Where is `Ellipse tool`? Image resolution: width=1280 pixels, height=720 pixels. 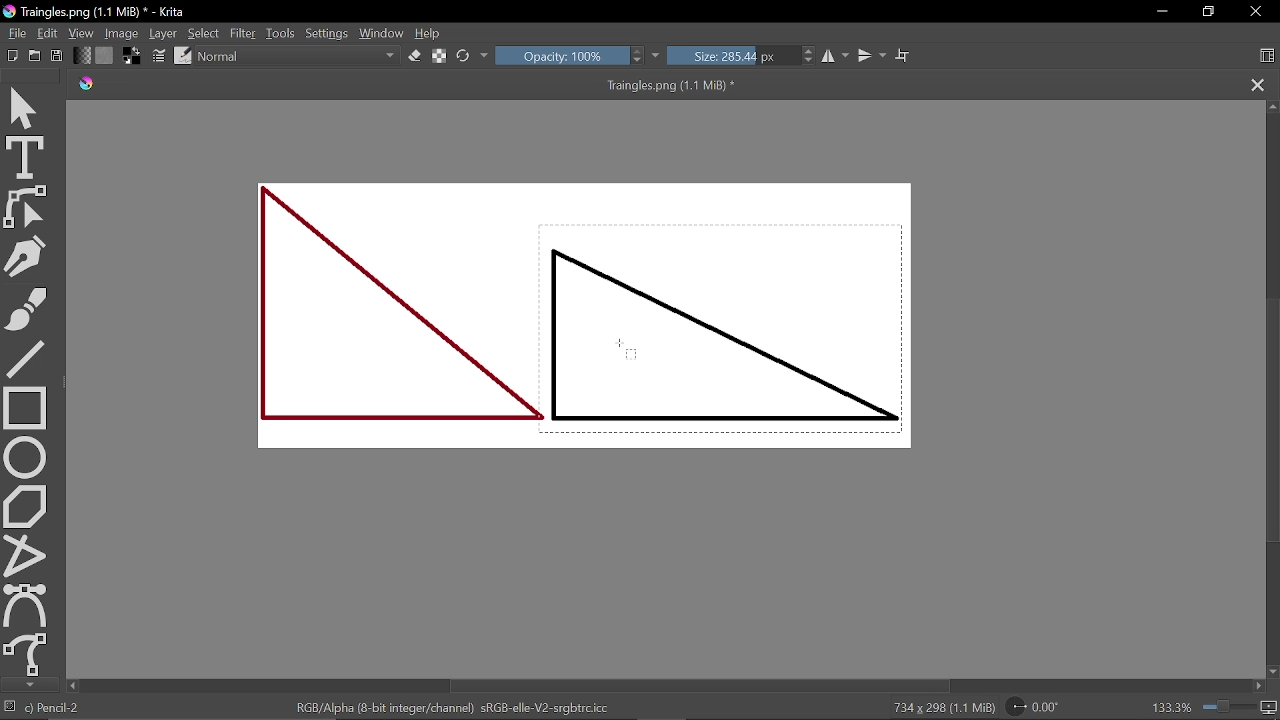 Ellipse tool is located at coordinates (26, 456).